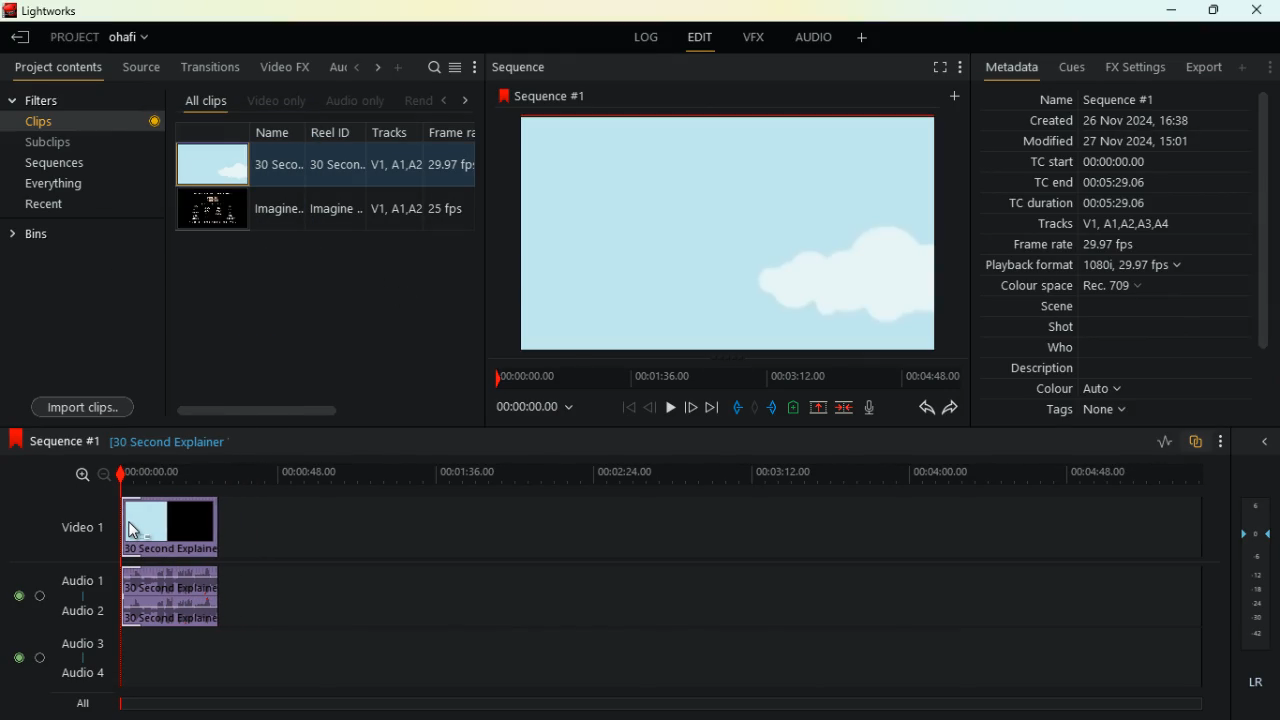  Describe the element at coordinates (734, 405) in the screenshot. I see `pull` at that location.